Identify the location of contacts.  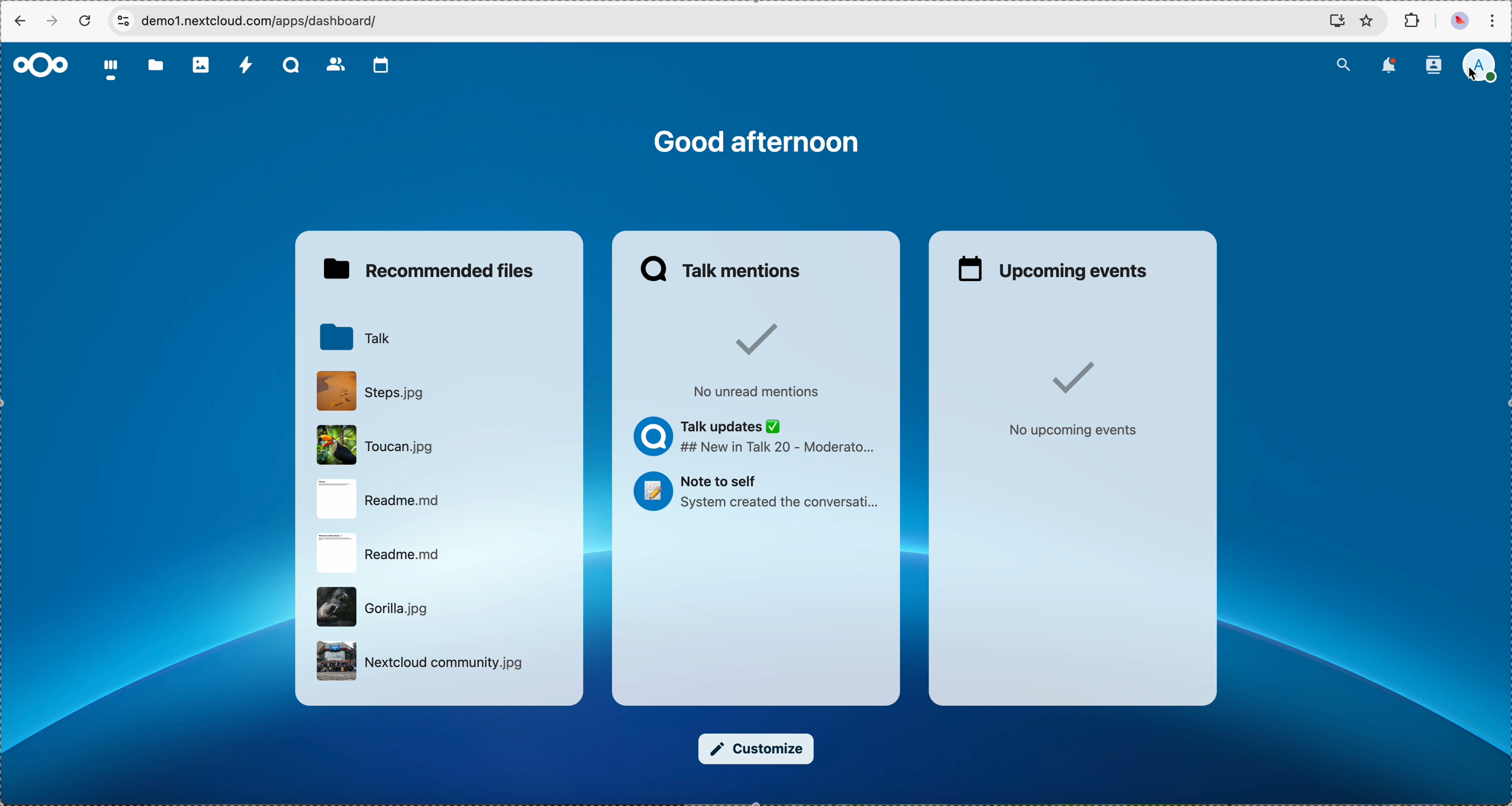
(336, 66).